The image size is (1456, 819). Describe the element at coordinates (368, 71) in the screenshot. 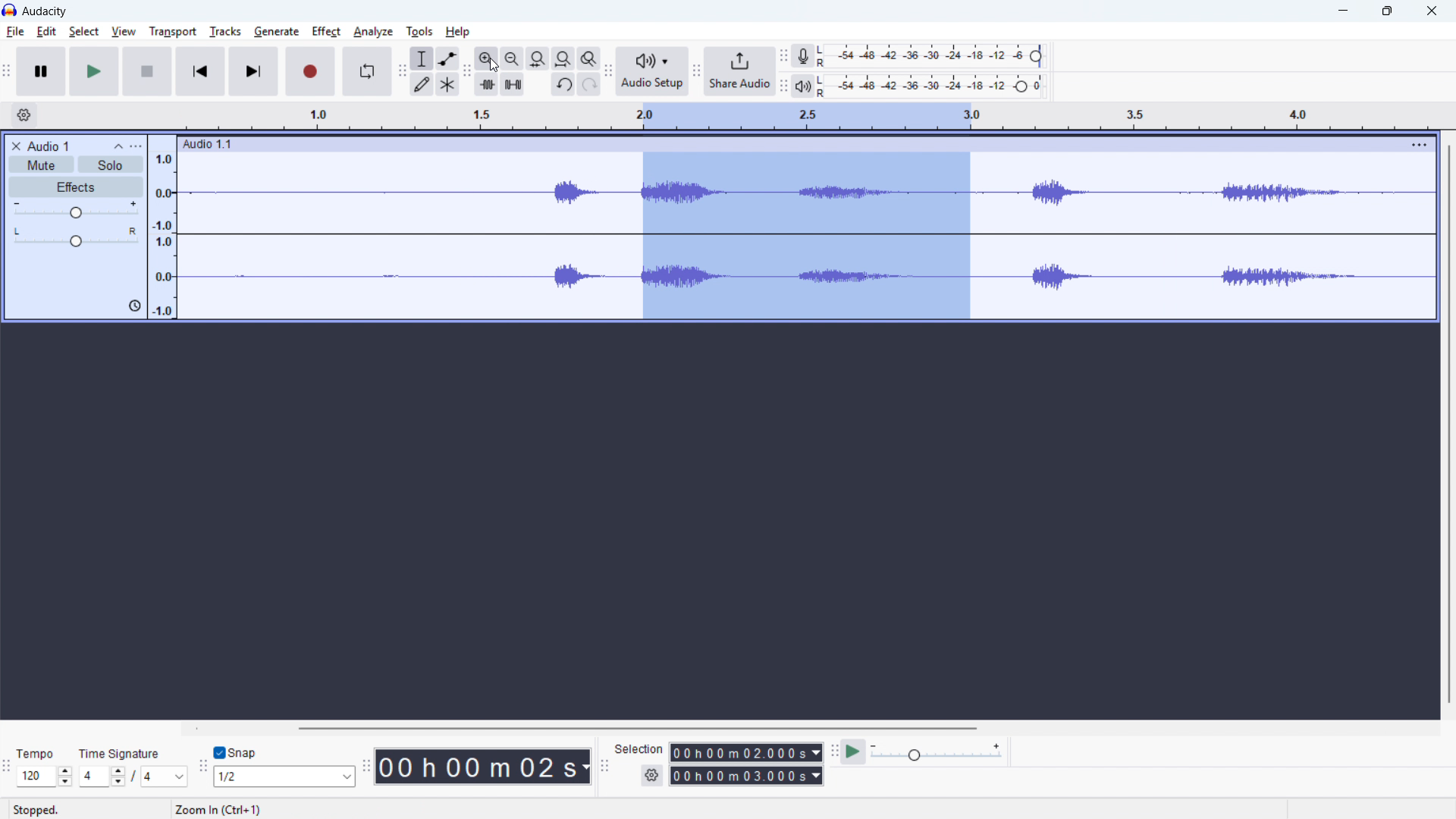

I see `Enable looping` at that location.